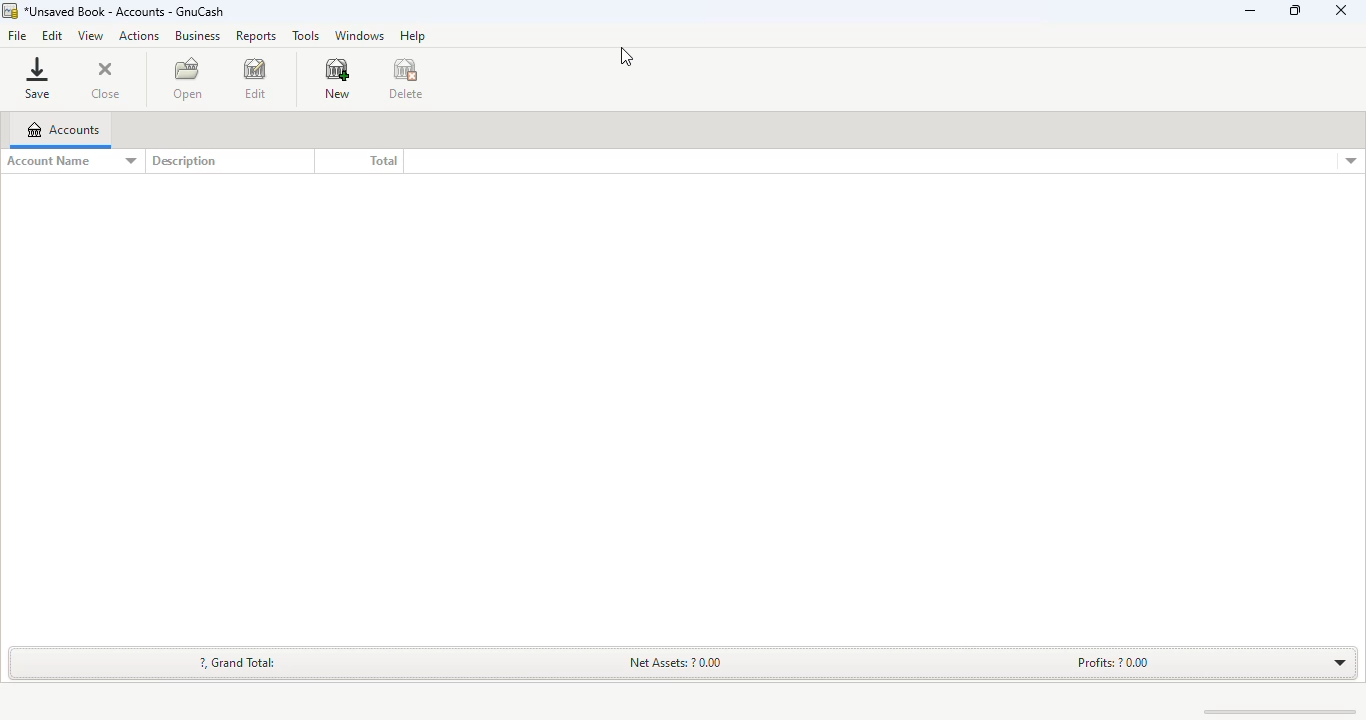 The width and height of the screenshot is (1366, 720). What do you see at coordinates (197, 35) in the screenshot?
I see `business` at bounding box center [197, 35].